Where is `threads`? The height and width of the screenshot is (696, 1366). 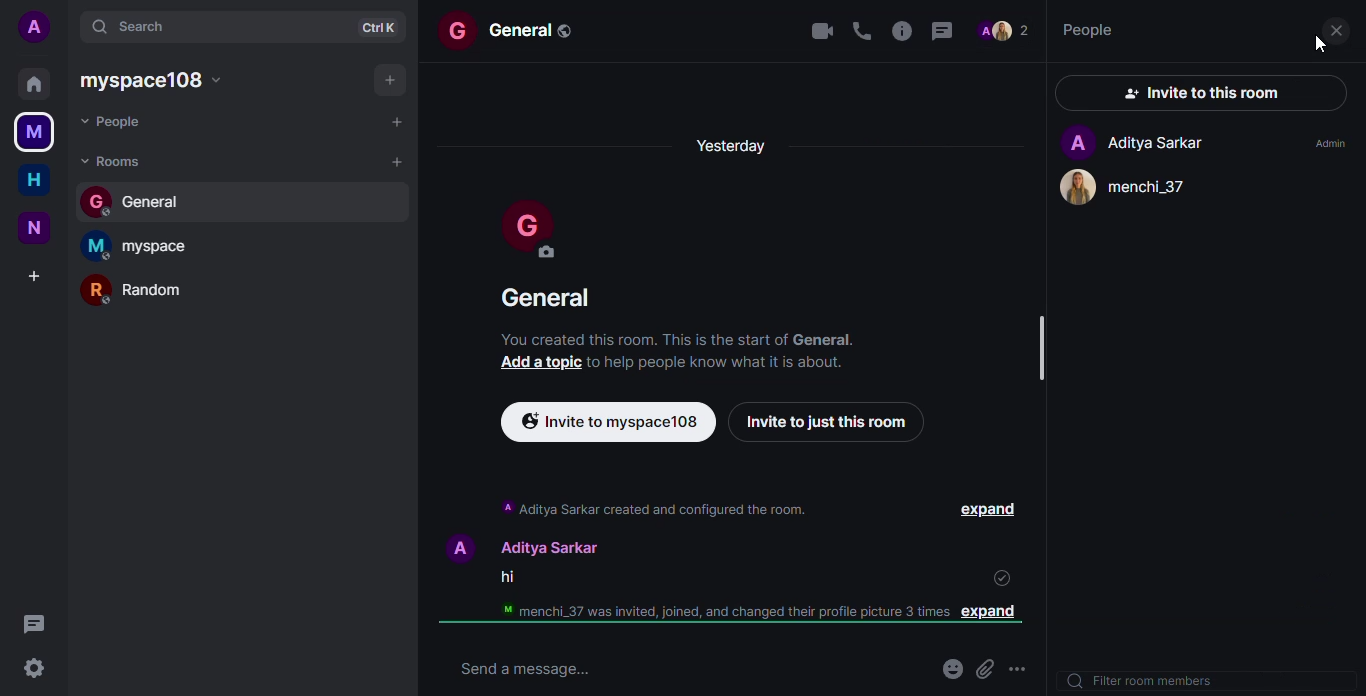 threads is located at coordinates (905, 30).